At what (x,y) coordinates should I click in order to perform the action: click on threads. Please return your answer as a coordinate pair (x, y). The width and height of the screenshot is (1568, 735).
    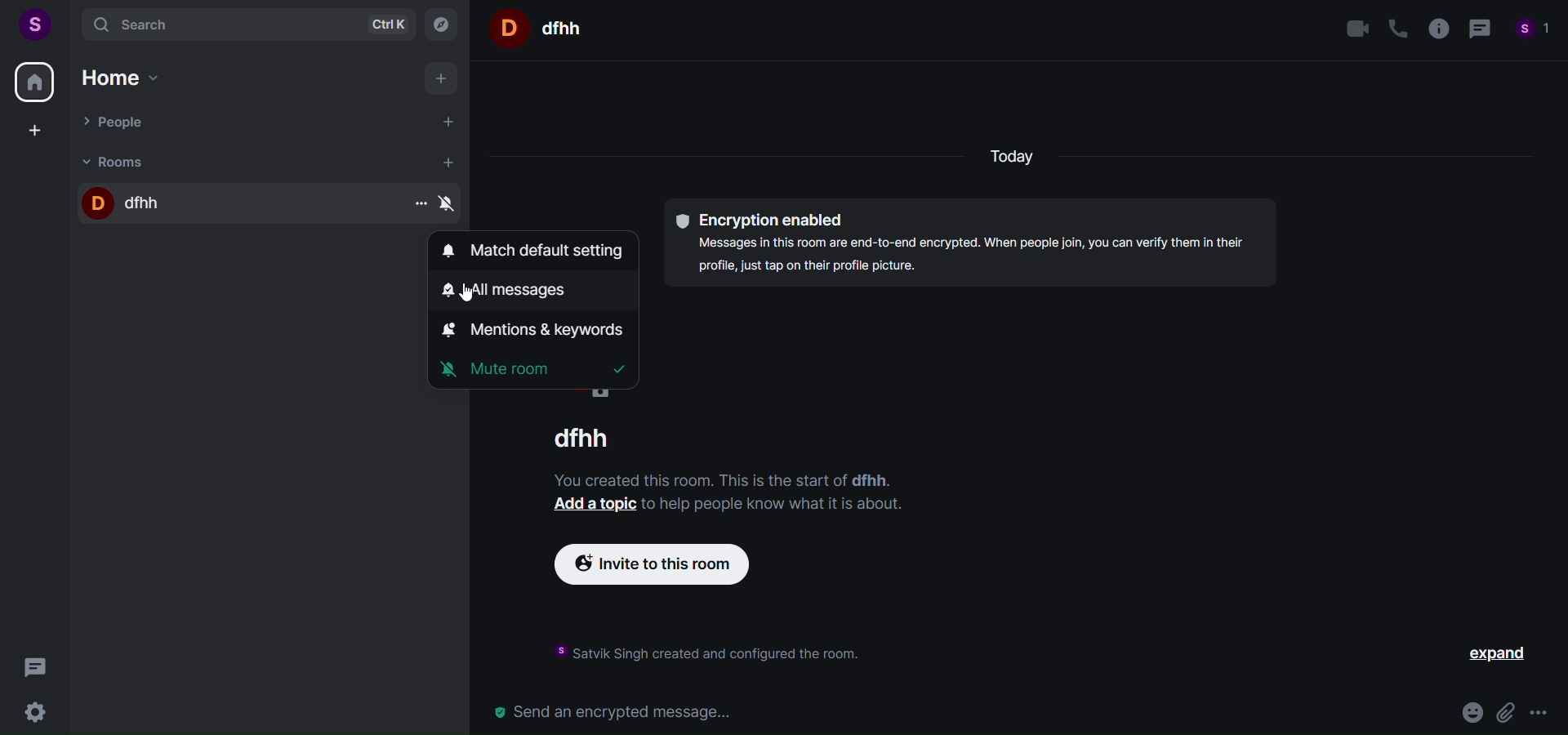
    Looking at the image, I should click on (33, 668).